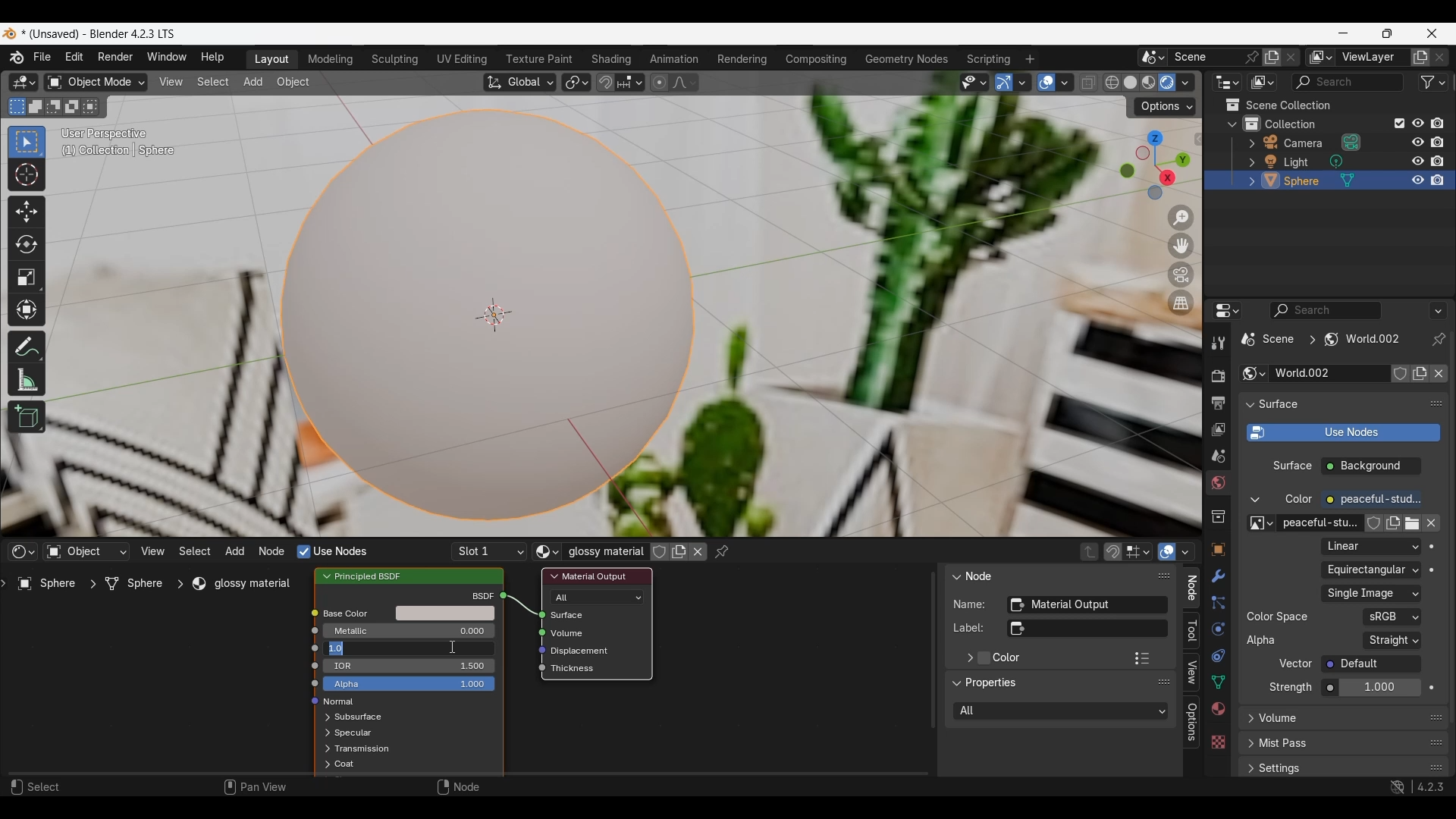  Describe the element at coordinates (1062, 711) in the screenshot. I see `Rendered and viewport shading types to use the shades for` at that location.